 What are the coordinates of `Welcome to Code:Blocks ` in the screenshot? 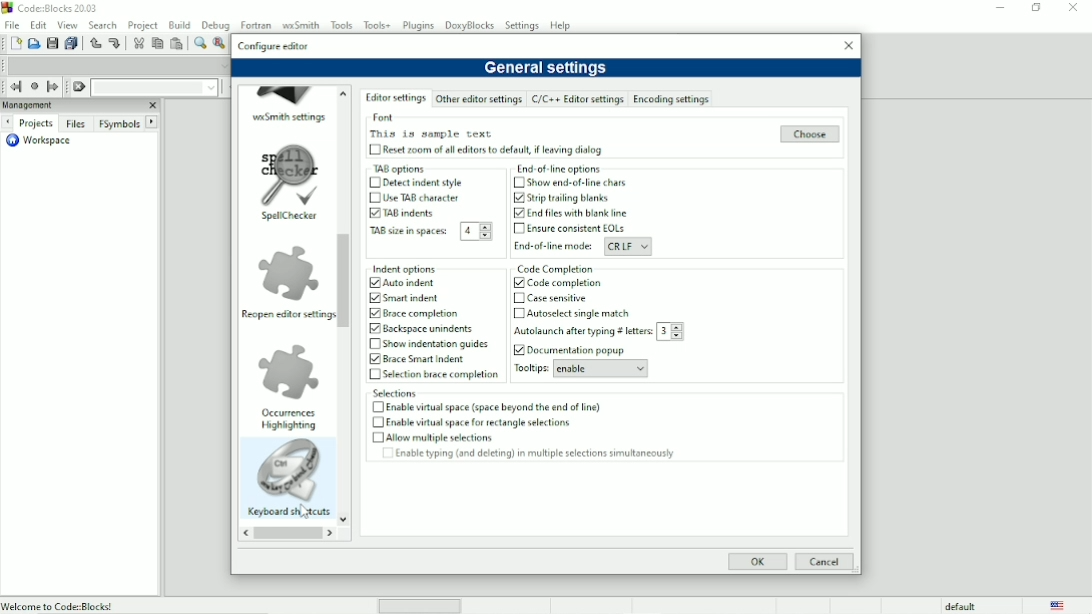 It's located at (59, 605).